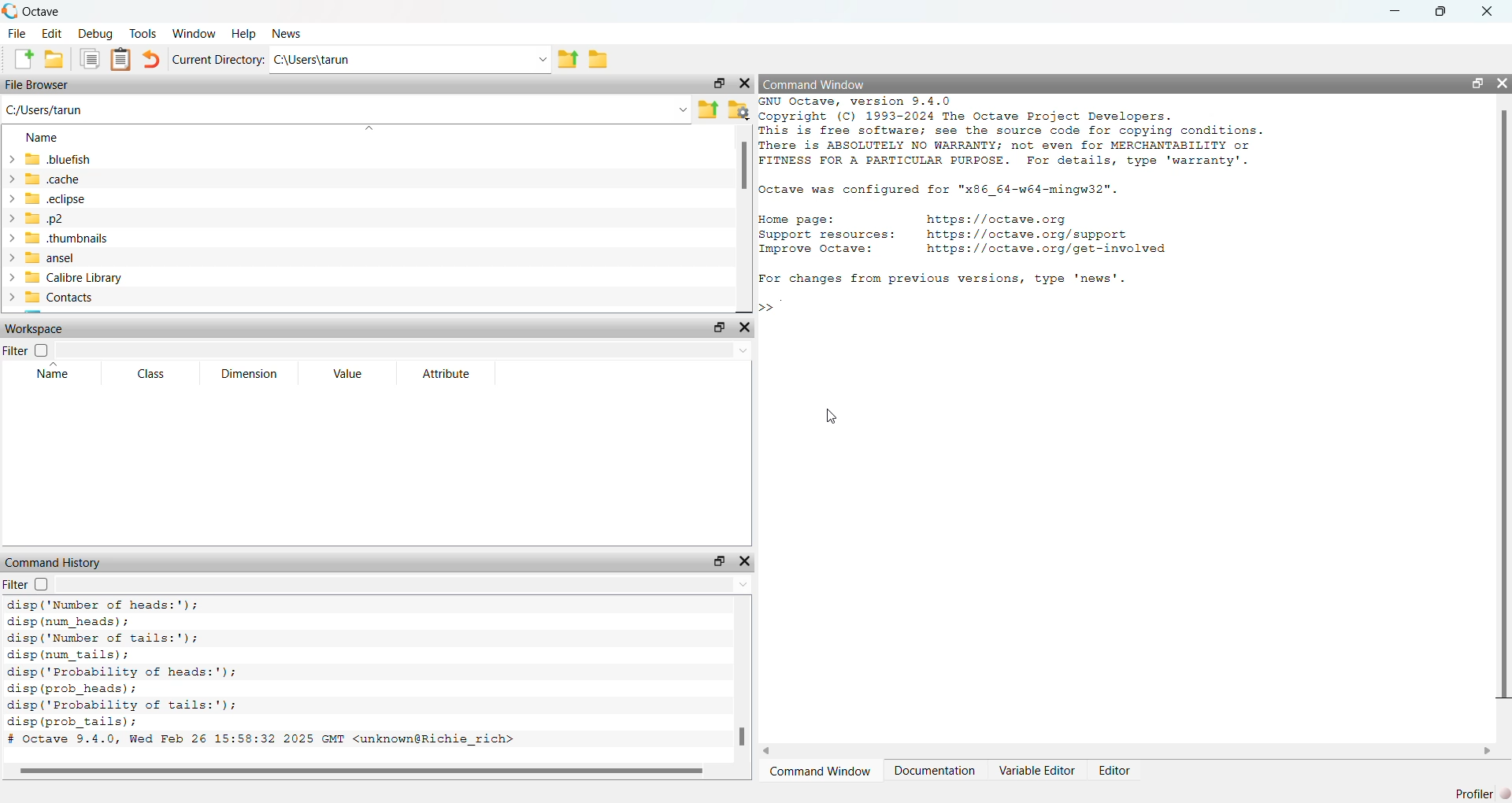  I want to click on Window, so click(195, 33).